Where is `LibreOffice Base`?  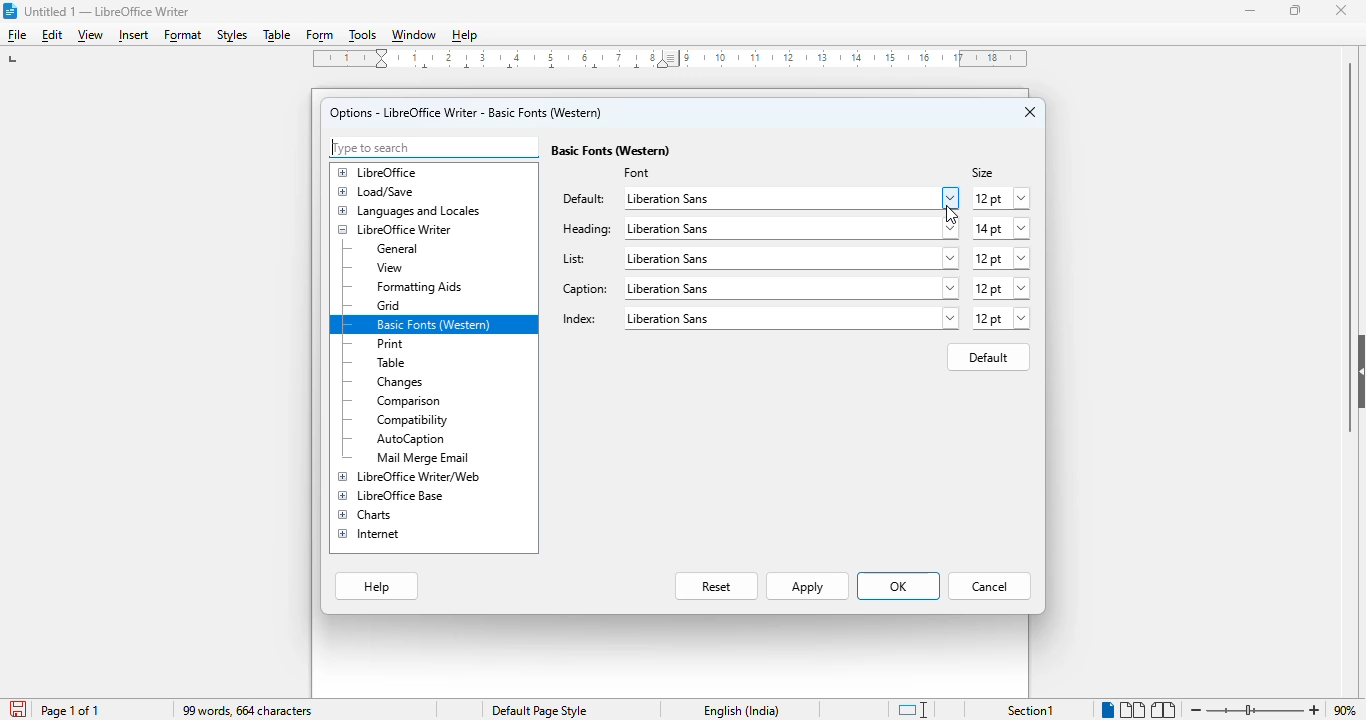
LibreOffice Base is located at coordinates (391, 496).